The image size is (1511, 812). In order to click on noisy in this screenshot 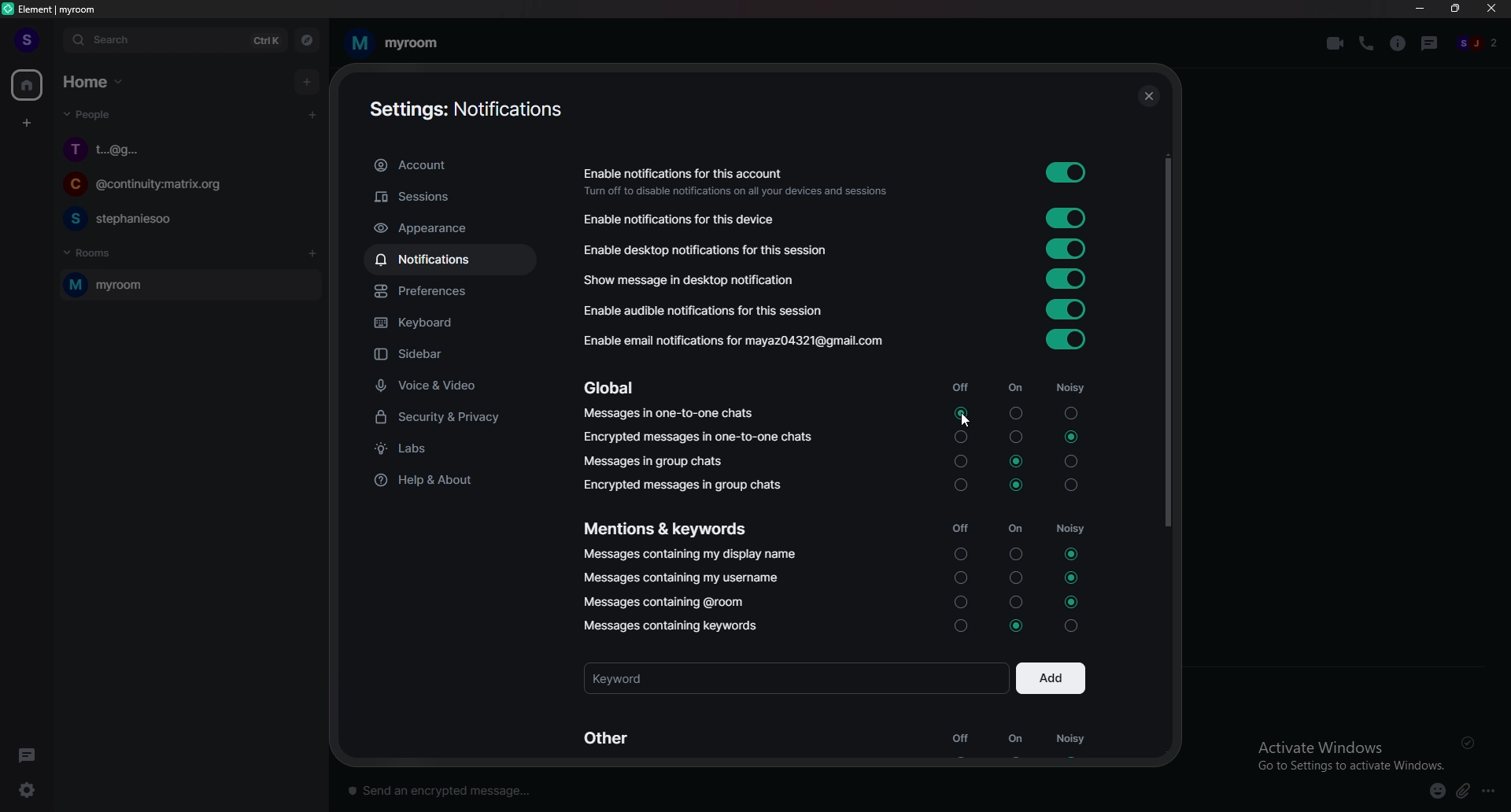, I will do `click(1068, 504)`.